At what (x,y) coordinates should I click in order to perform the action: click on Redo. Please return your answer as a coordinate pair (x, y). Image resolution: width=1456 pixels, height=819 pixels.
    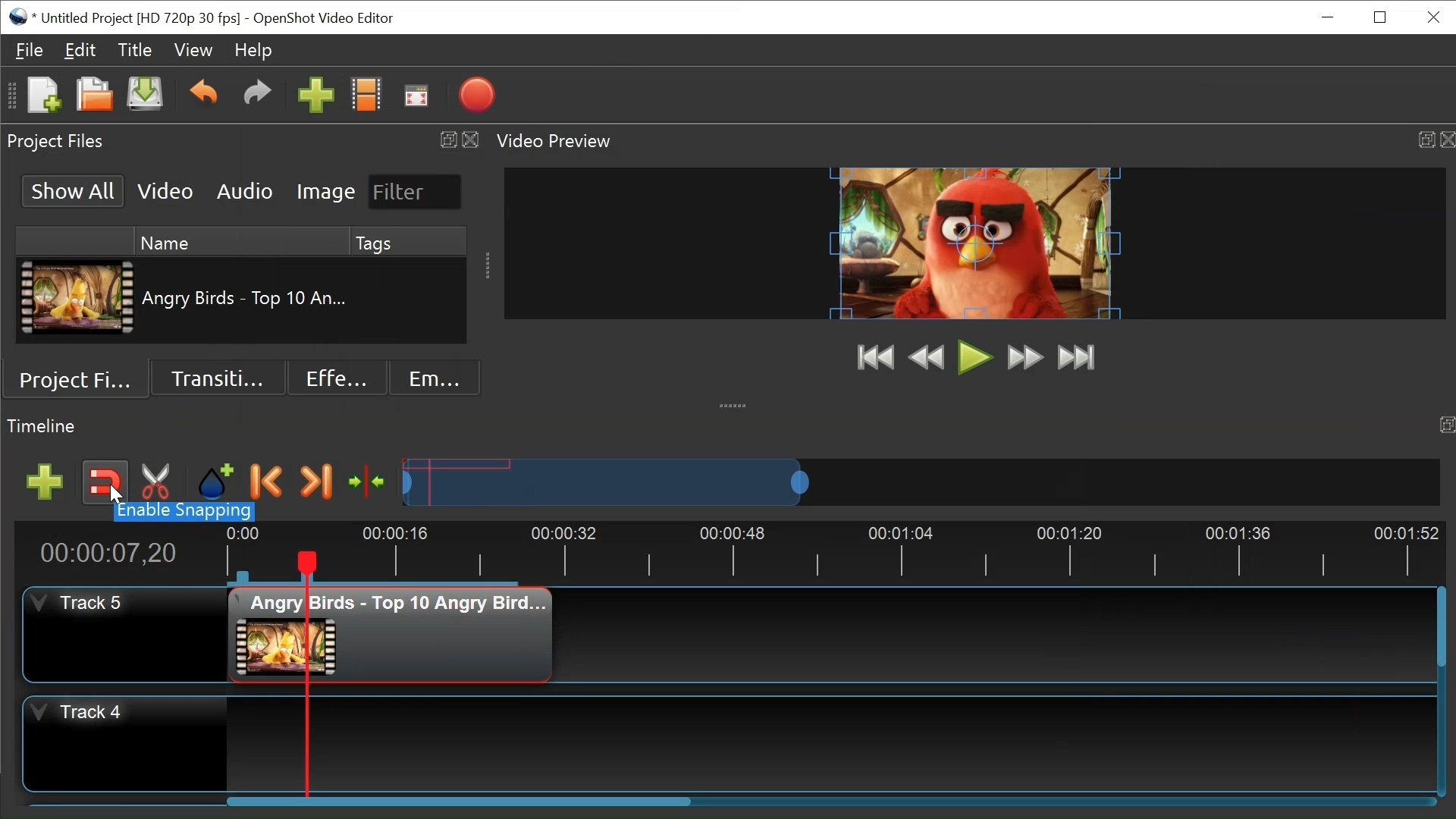
    Looking at the image, I should click on (253, 96).